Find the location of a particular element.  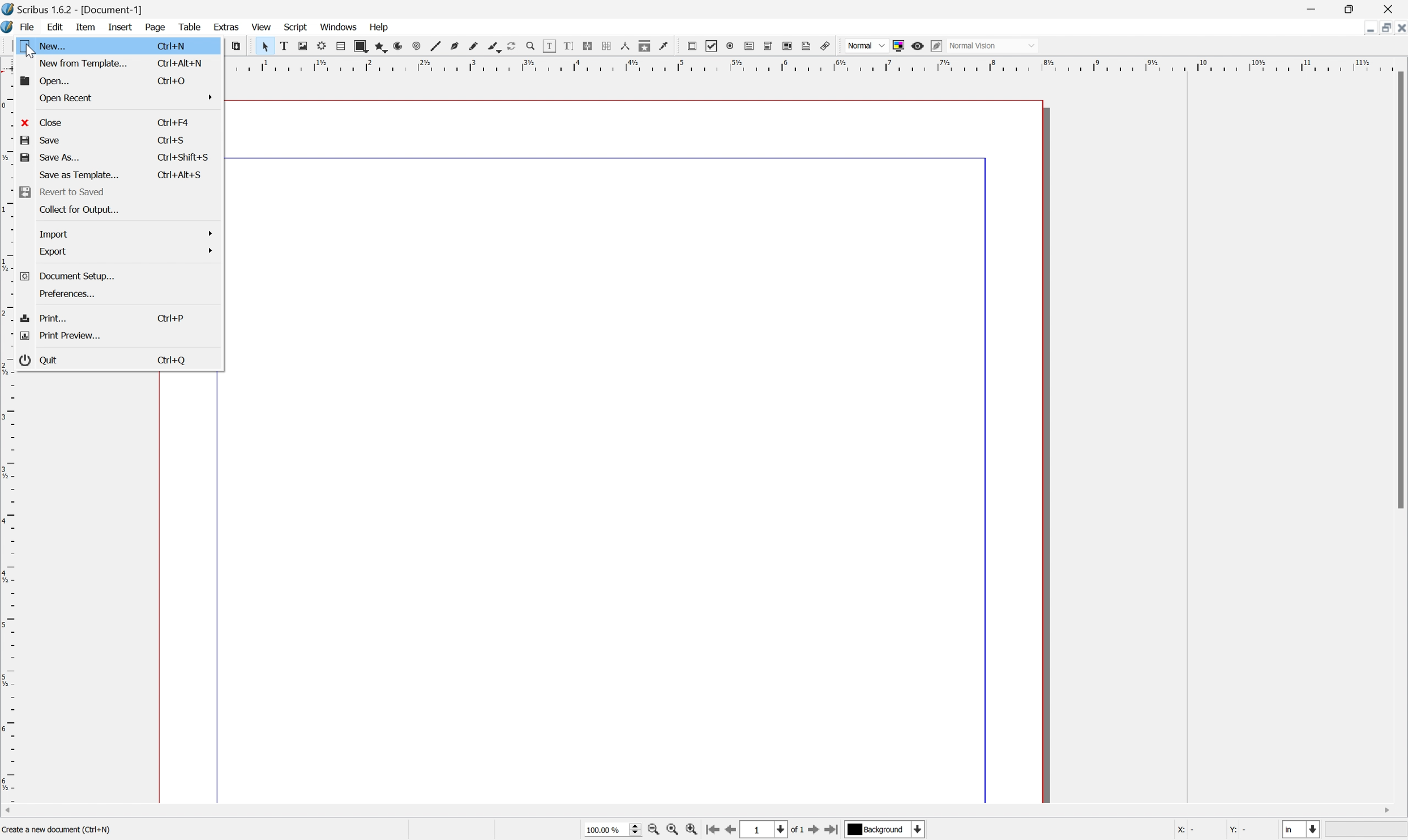

Spiral is located at coordinates (415, 46).